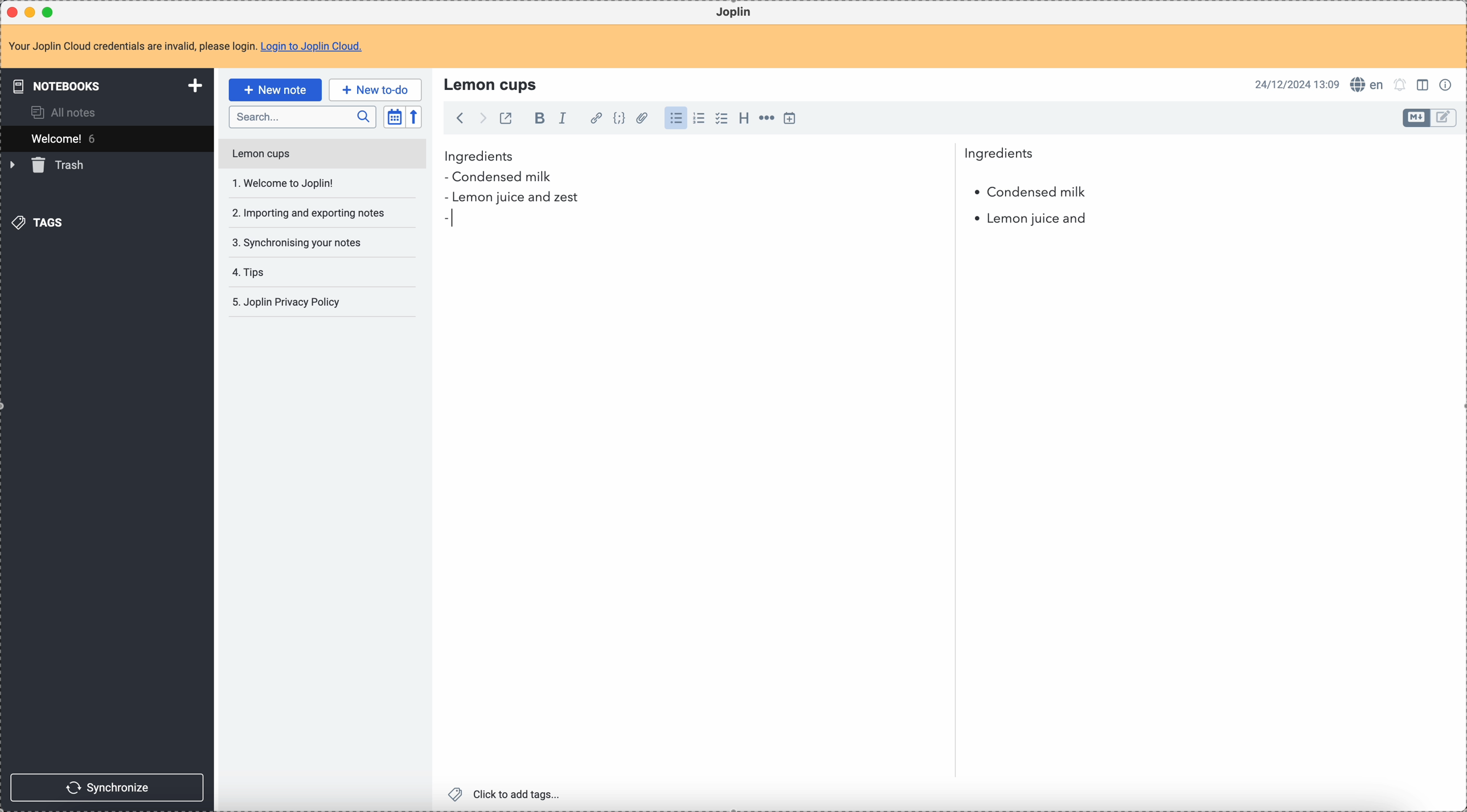 The image size is (1467, 812). What do you see at coordinates (14, 13) in the screenshot?
I see `close` at bounding box center [14, 13].